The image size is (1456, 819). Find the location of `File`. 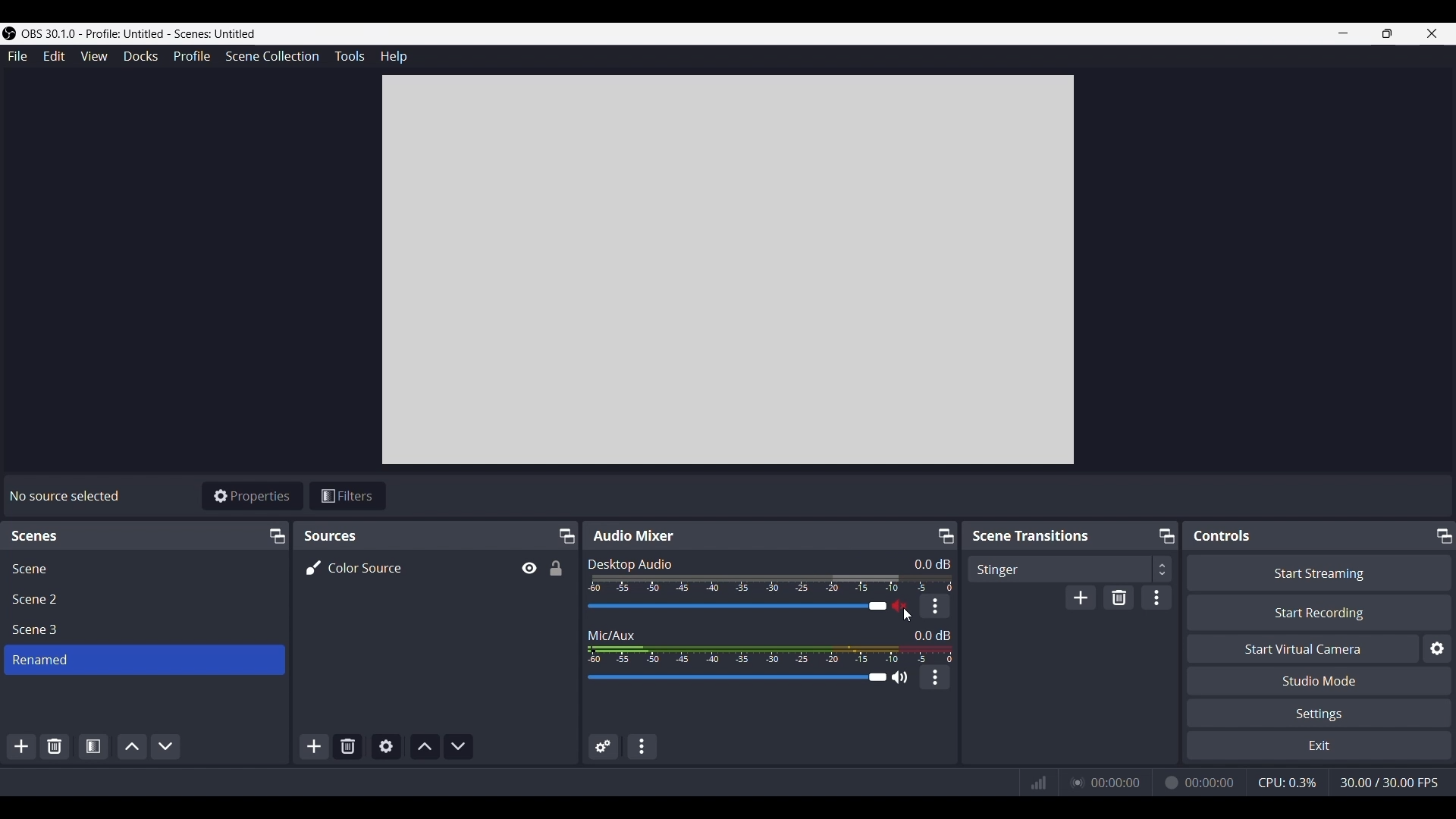

File is located at coordinates (17, 57).